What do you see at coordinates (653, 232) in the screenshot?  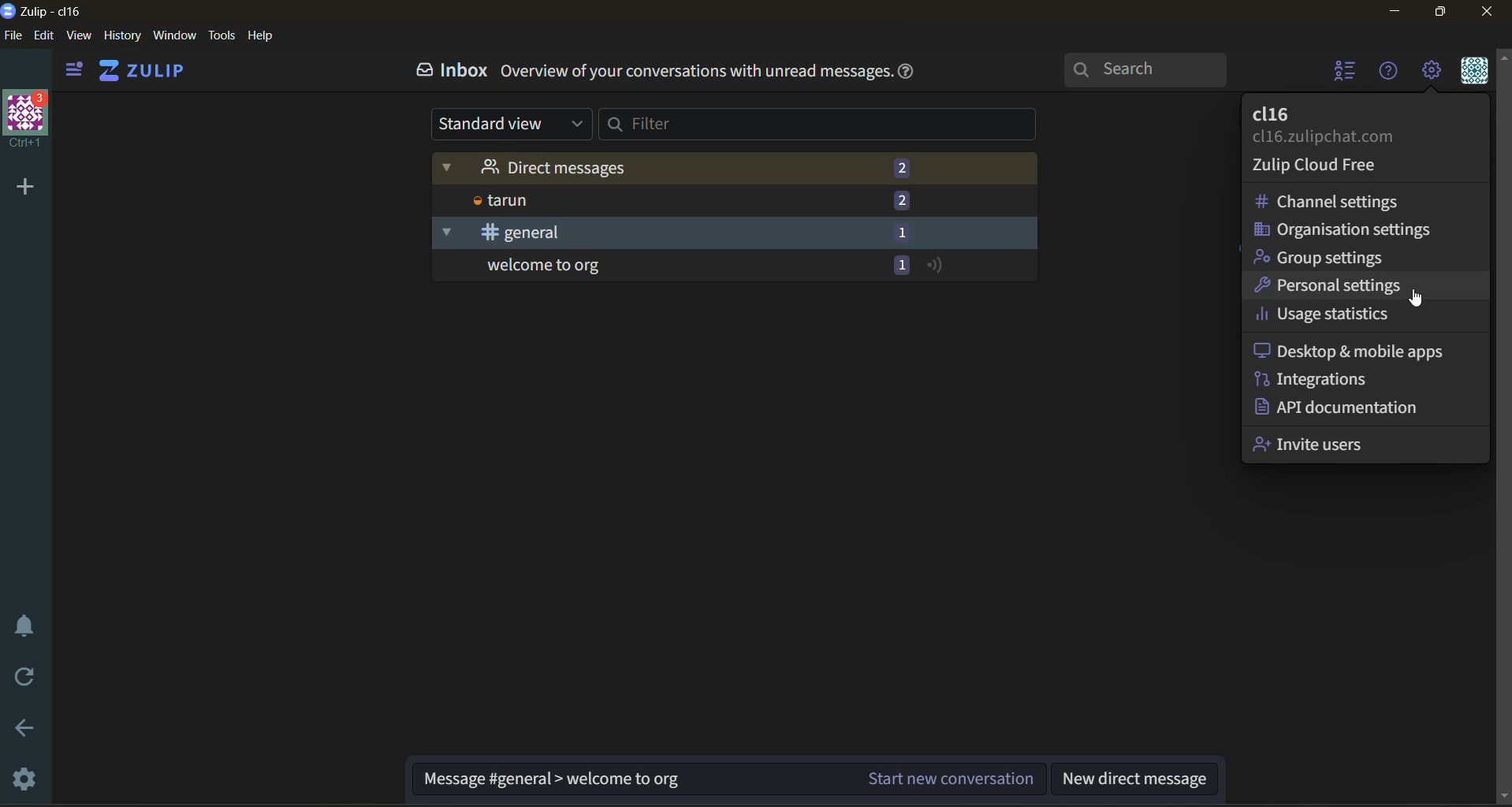 I see `general` at bounding box center [653, 232].